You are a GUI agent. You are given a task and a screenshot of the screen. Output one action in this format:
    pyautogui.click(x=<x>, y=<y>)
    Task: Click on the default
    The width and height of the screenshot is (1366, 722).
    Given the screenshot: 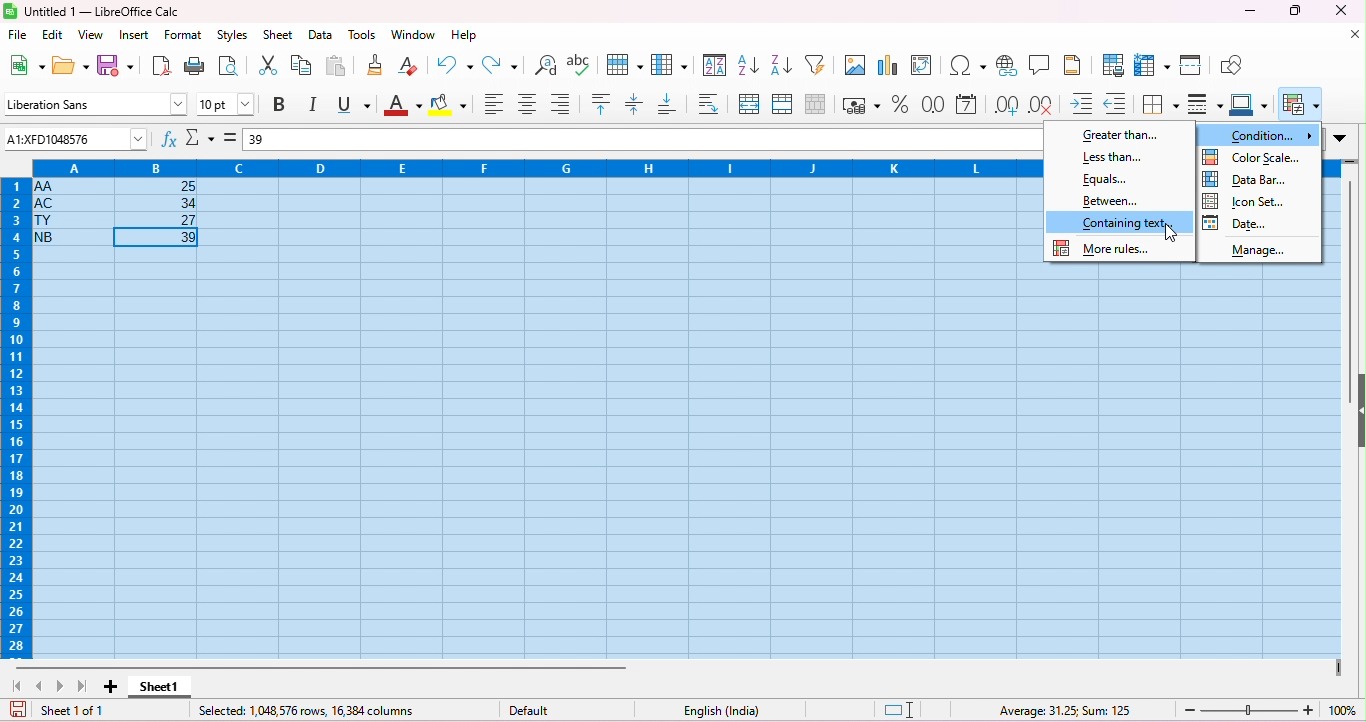 What is the action you would take?
    pyautogui.click(x=536, y=711)
    